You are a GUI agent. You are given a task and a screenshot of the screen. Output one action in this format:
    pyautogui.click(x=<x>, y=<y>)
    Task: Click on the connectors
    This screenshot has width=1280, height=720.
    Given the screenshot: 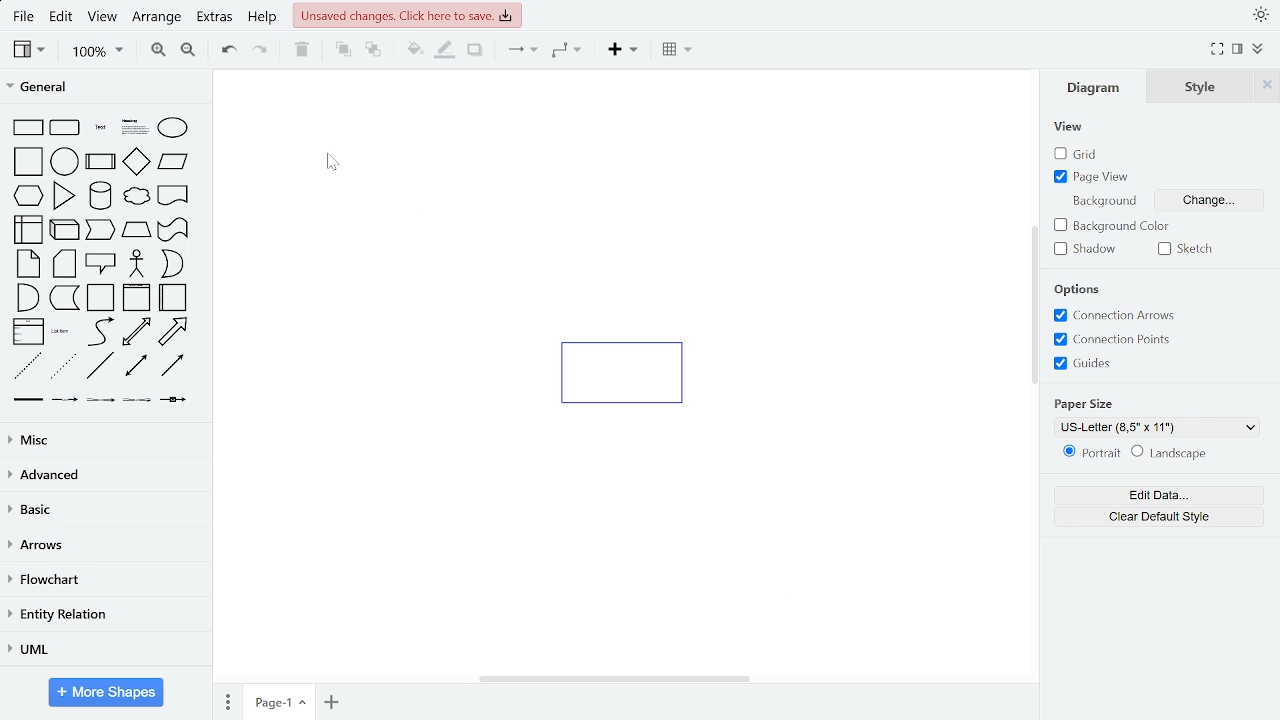 What is the action you would take?
    pyautogui.click(x=518, y=51)
    